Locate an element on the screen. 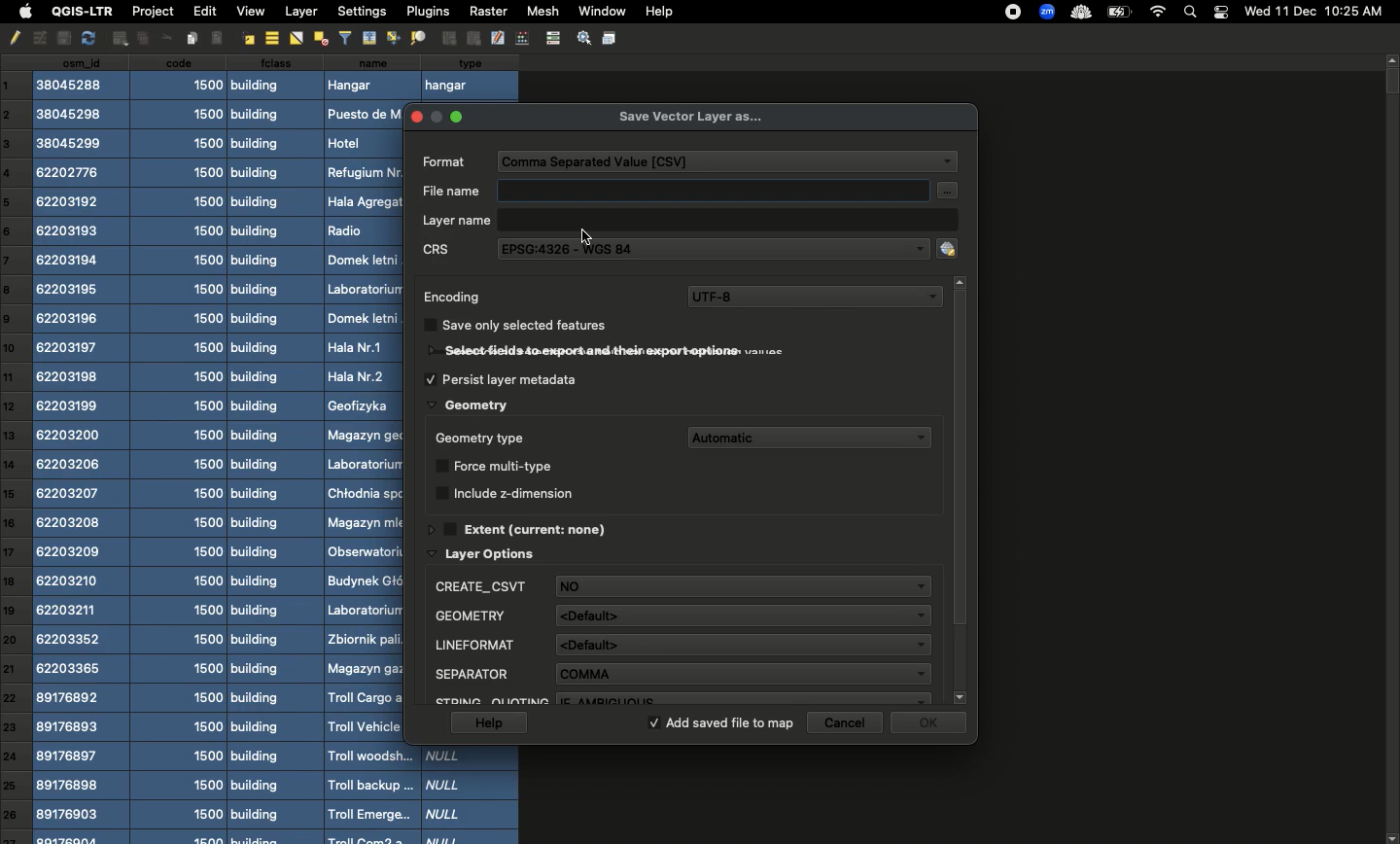   is located at coordinates (162, 38).